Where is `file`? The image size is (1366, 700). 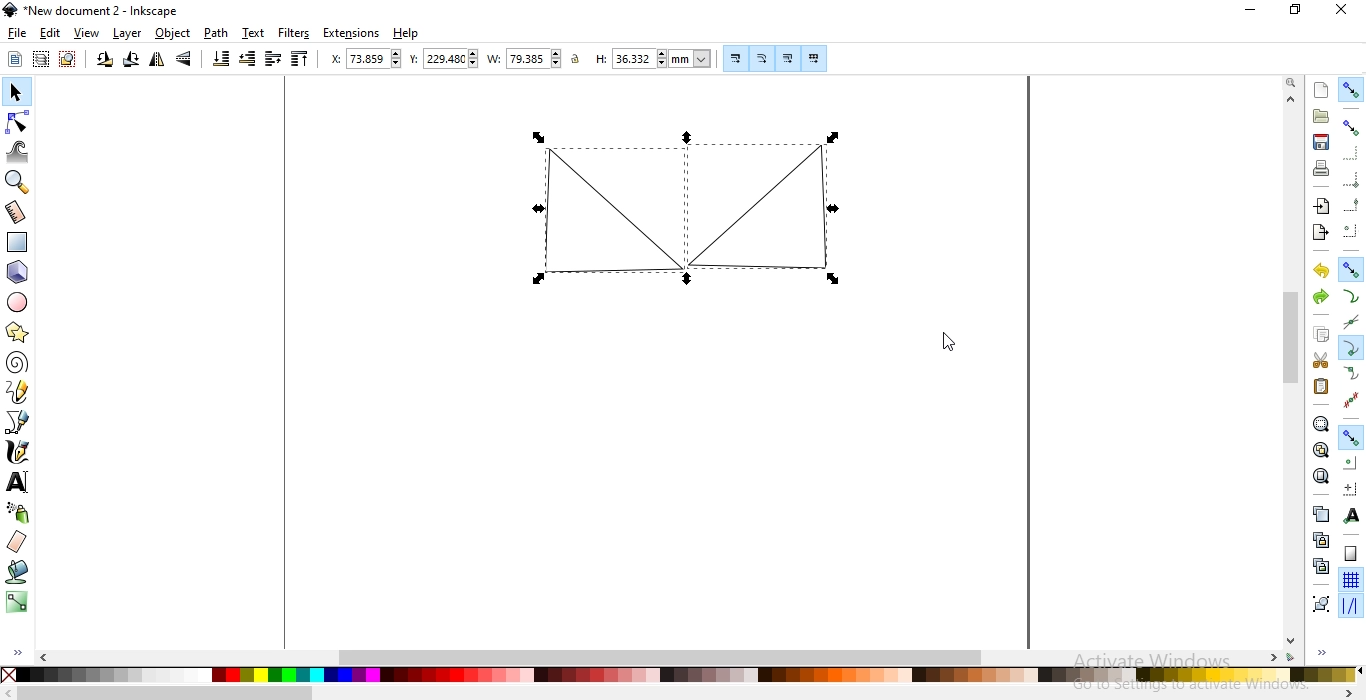
file is located at coordinates (17, 34).